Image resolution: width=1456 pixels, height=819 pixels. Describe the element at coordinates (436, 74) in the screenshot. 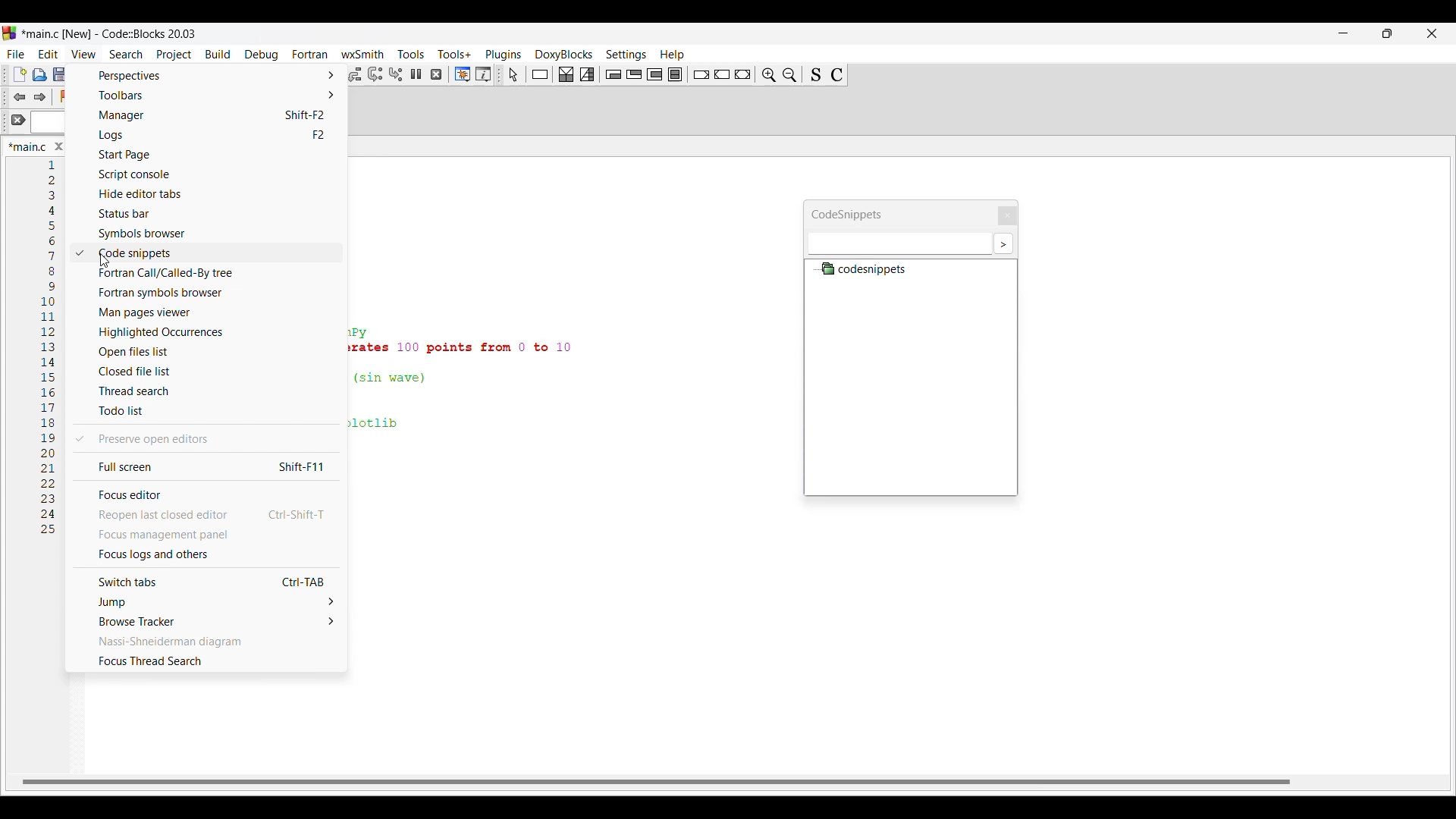

I see `Stop debugger` at that location.